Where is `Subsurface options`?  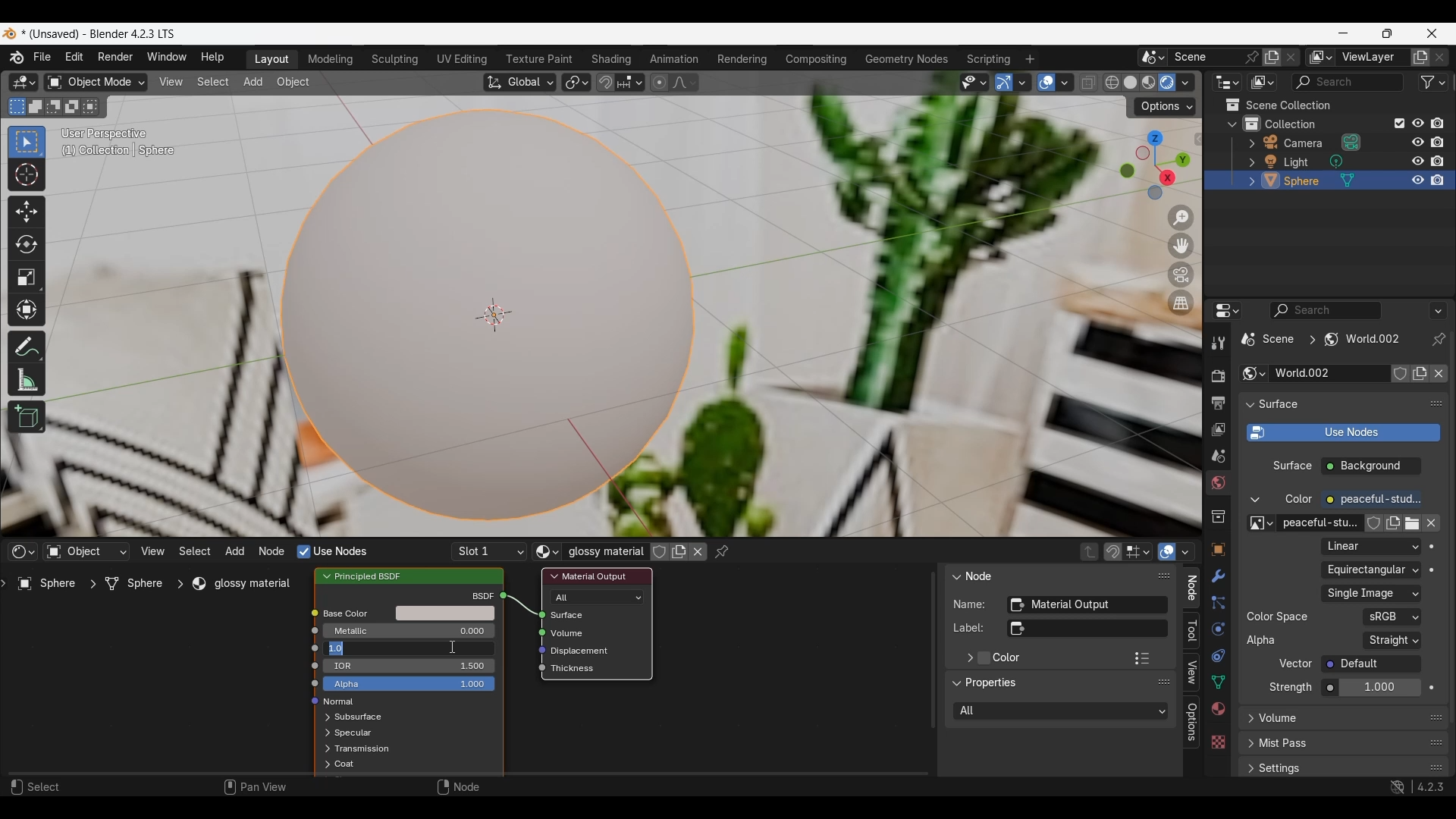
Subsurface options is located at coordinates (358, 717).